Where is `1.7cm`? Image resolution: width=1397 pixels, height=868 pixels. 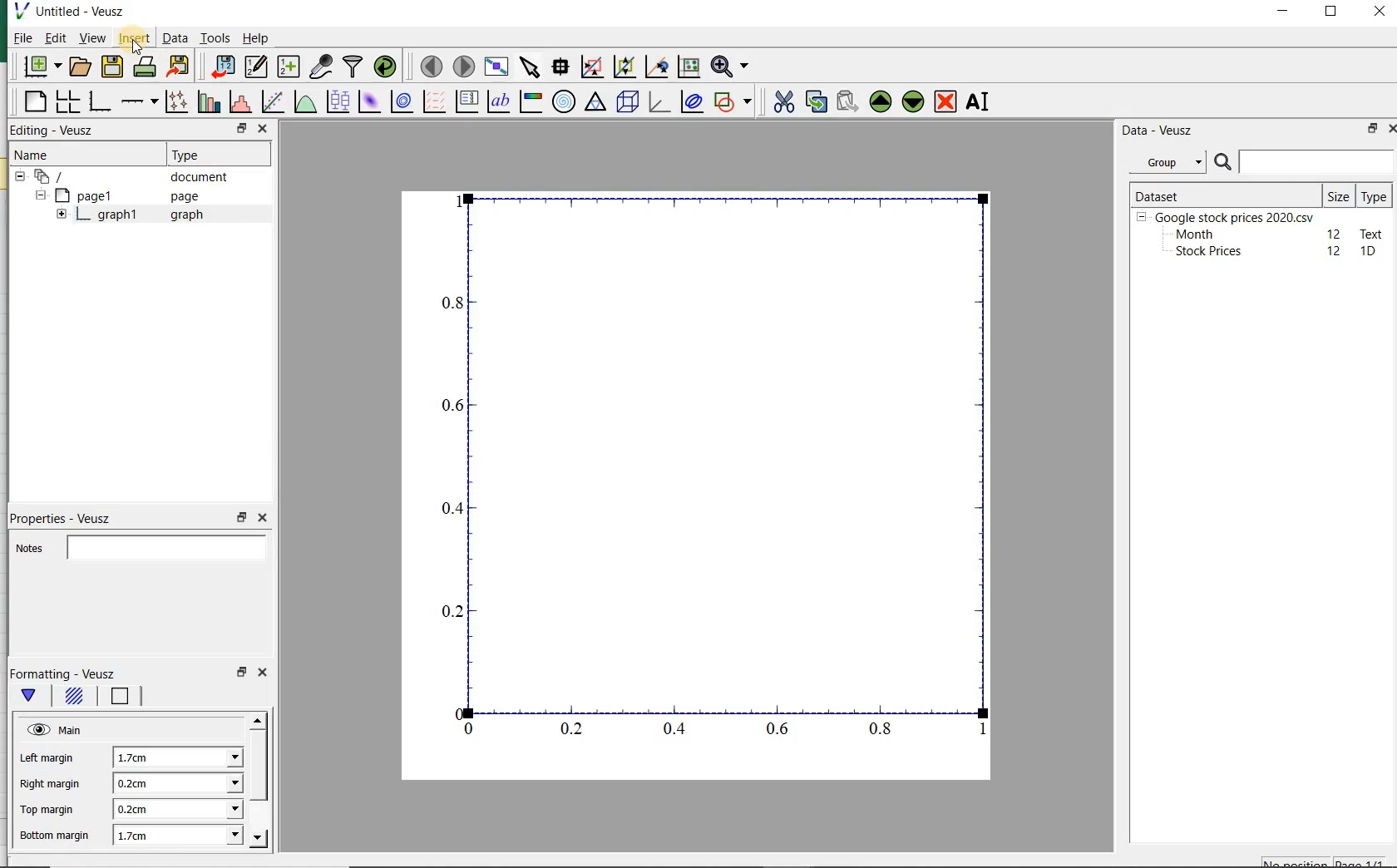 1.7cm is located at coordinates (176, 834).